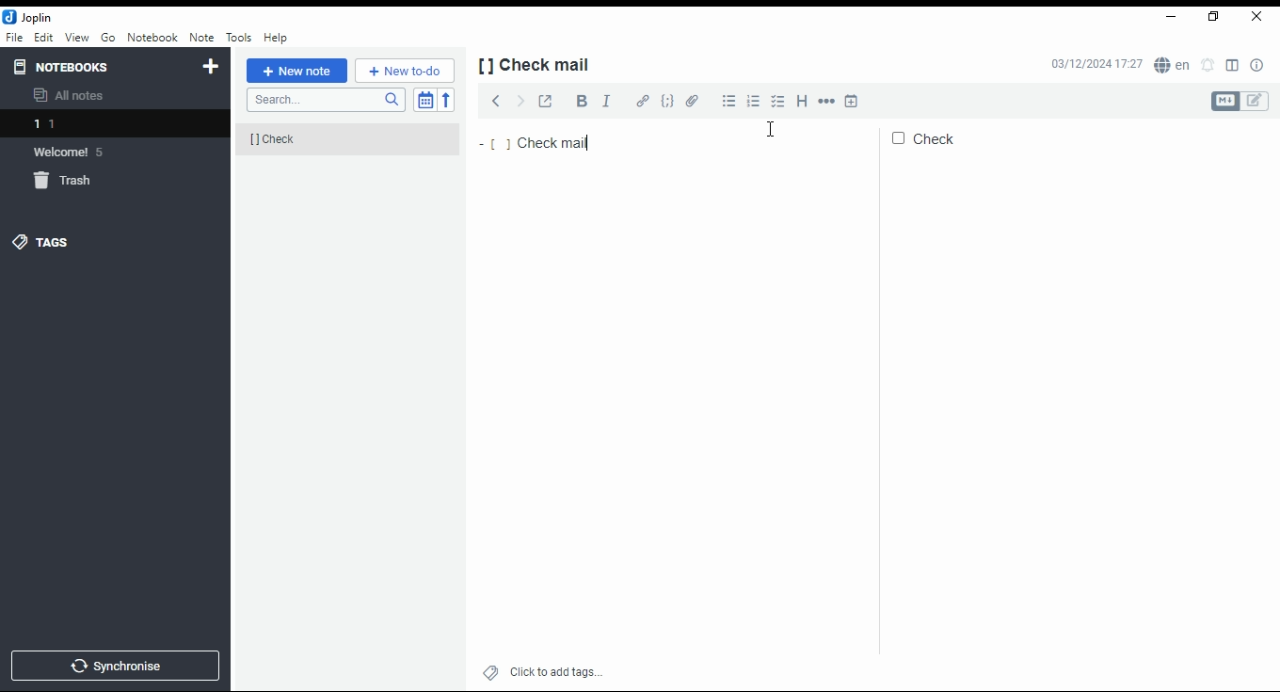 The height and width of the screenshot is (692, 1280). I want to click on welcome, so click(76, 152).